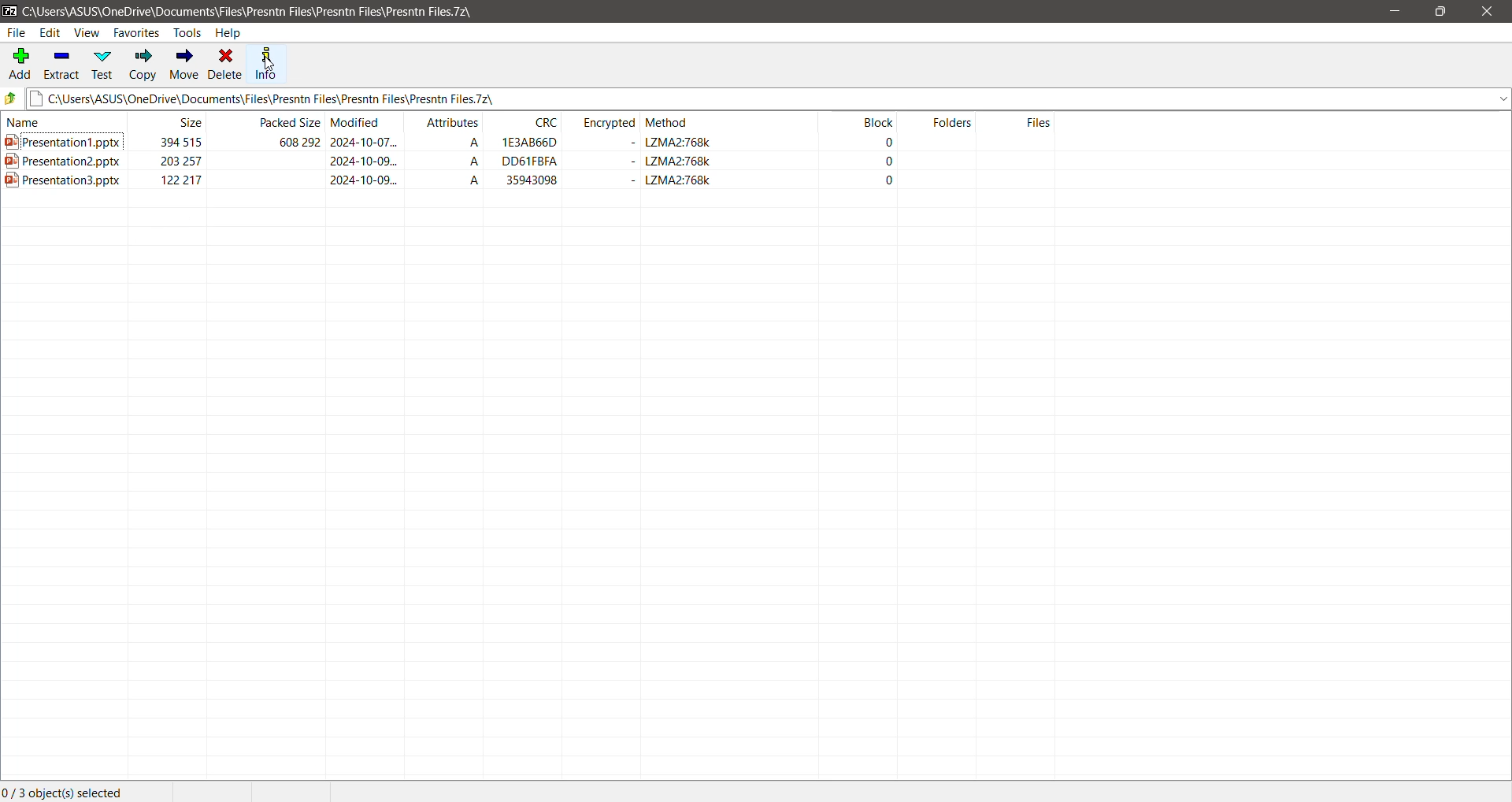 Image resolution: width=1512 pixels, height=802 pixels. What do you see at coordinates (362, 180) in the screenshot?
I see `2024-10-09...` at bounding box center [362, 180].